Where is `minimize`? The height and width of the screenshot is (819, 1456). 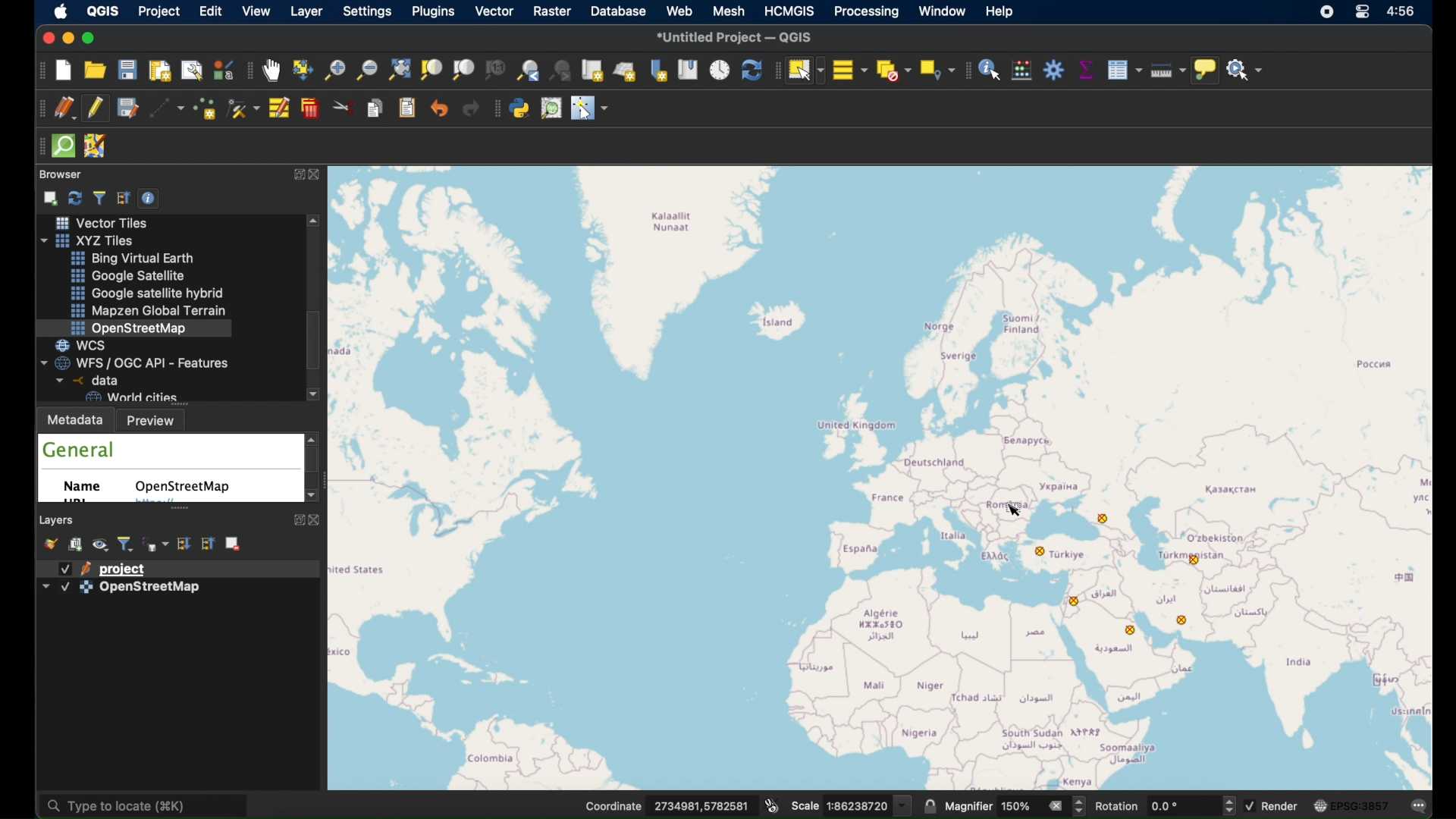
minimize is located at coordinates (67, 39).